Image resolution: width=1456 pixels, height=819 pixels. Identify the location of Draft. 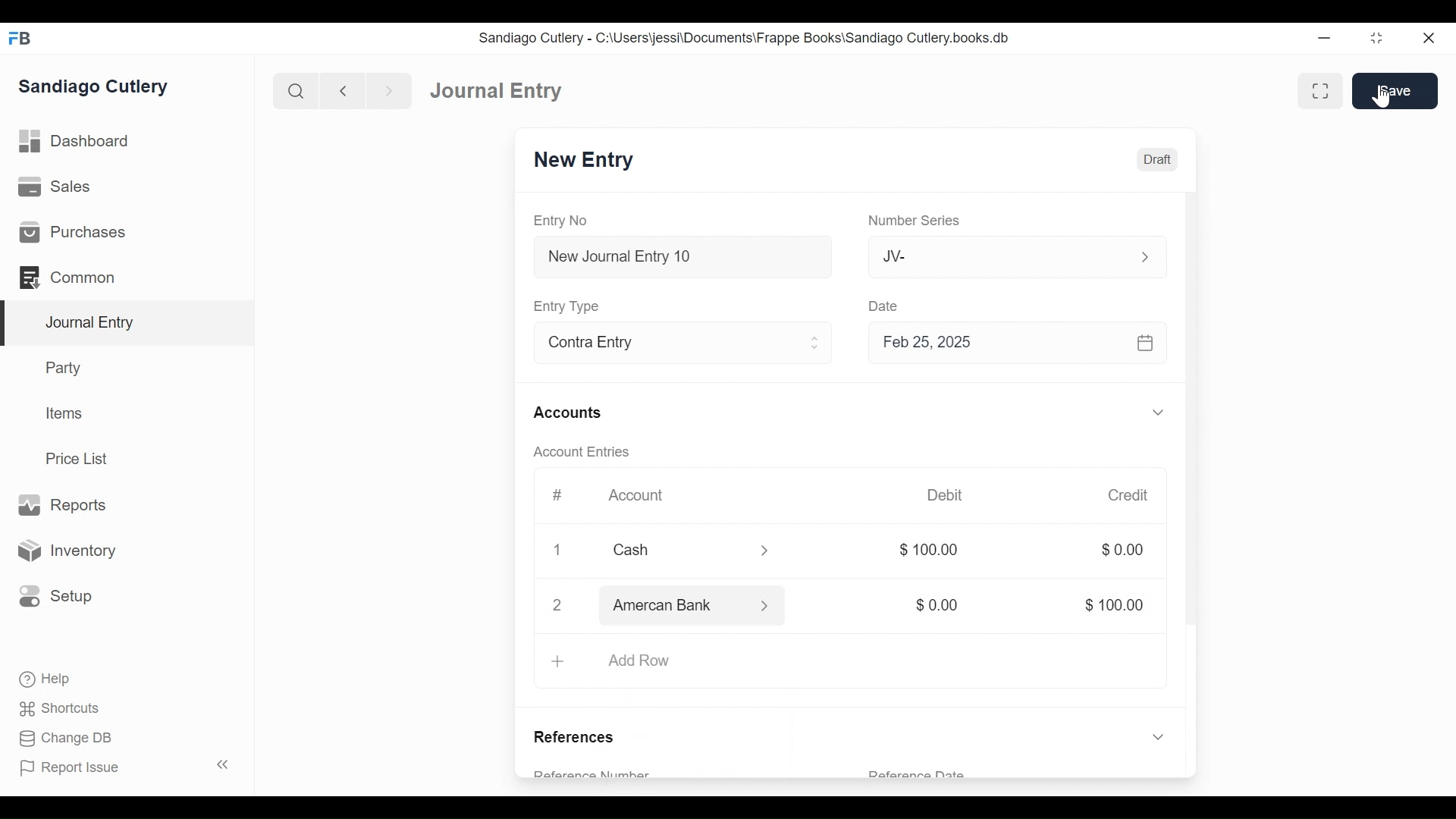
(1158, 160).